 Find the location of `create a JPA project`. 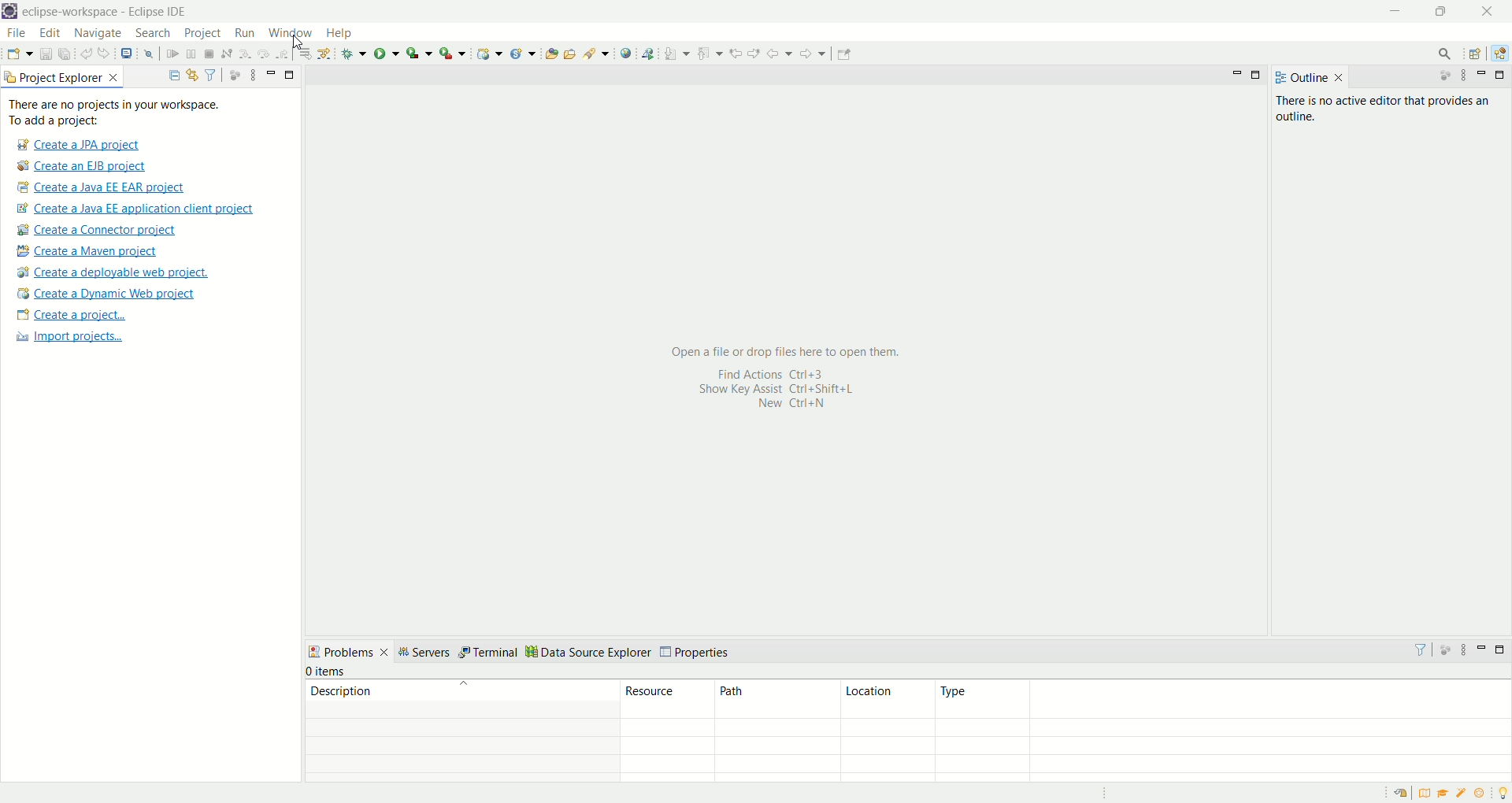

create a JPA project is located at coordinates (76, 145).